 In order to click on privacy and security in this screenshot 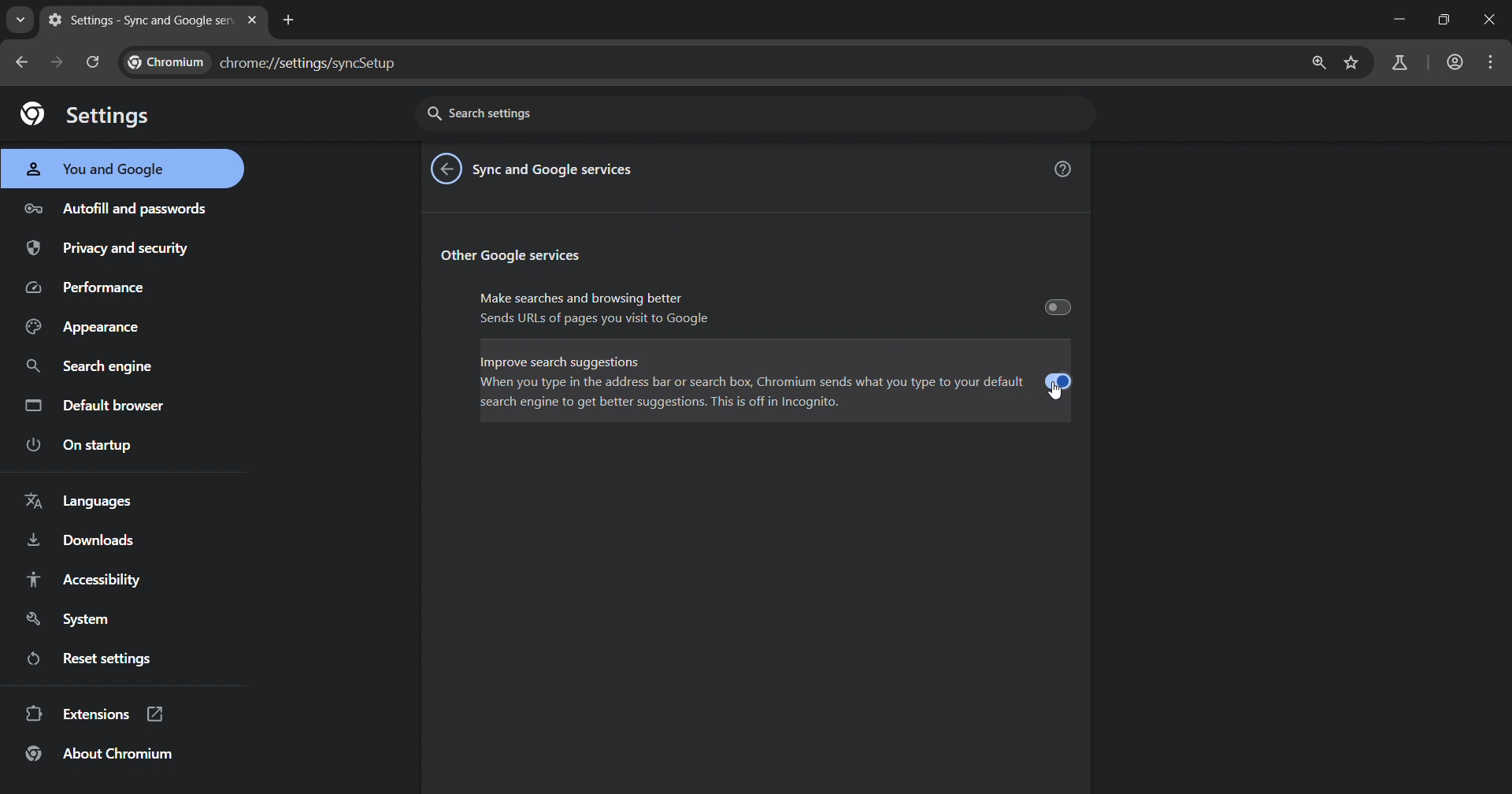, I will do `click(105, 248)`.